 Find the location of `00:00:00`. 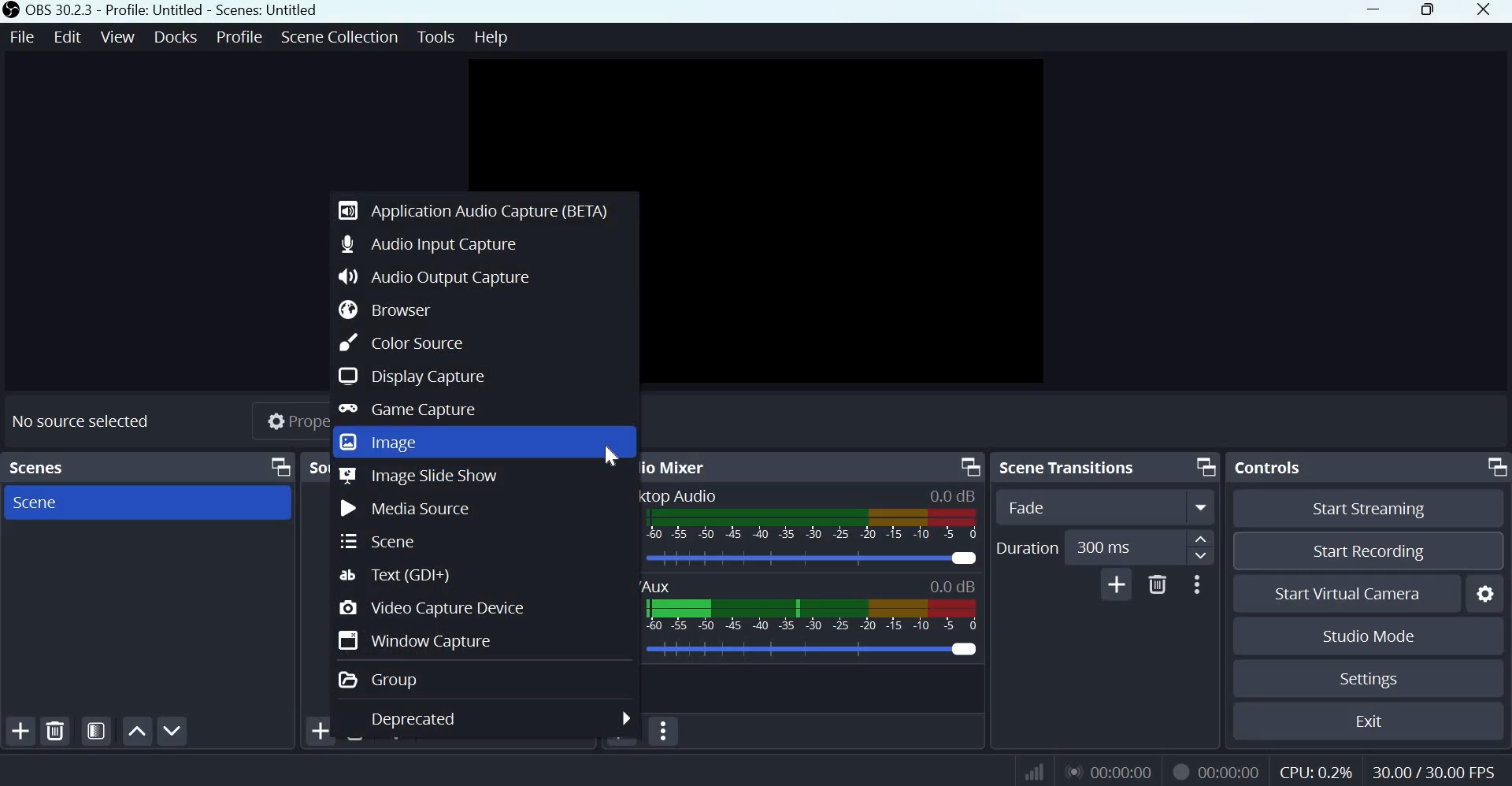

00:00:00 is located at coordinates (1231, 772).